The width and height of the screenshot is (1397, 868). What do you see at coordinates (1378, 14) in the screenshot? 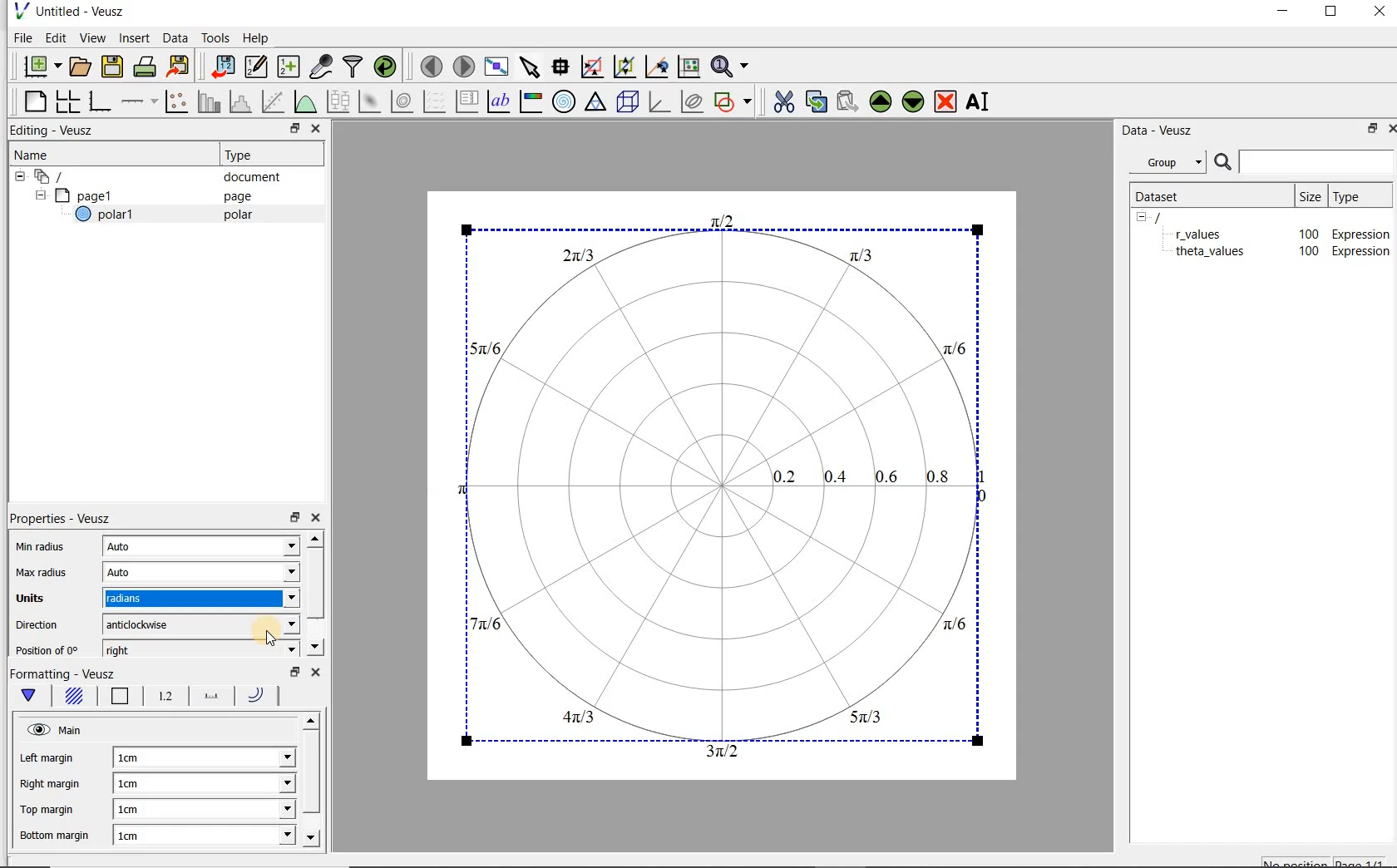
I see `Close` at bounding box center [1378, 14].